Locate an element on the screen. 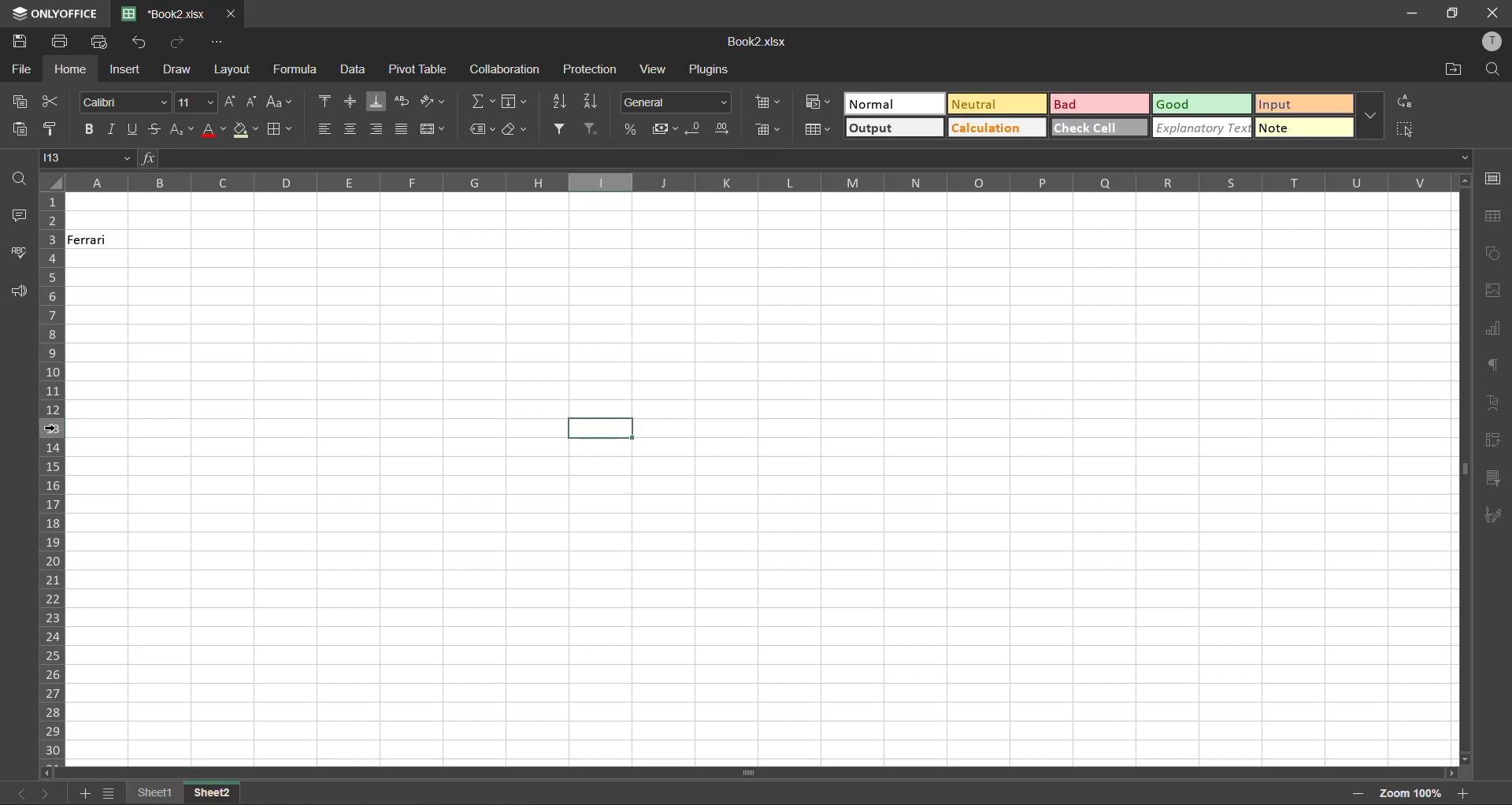 This screenshot has height=805, width=1512. font style is located at coordinates (122, 103).